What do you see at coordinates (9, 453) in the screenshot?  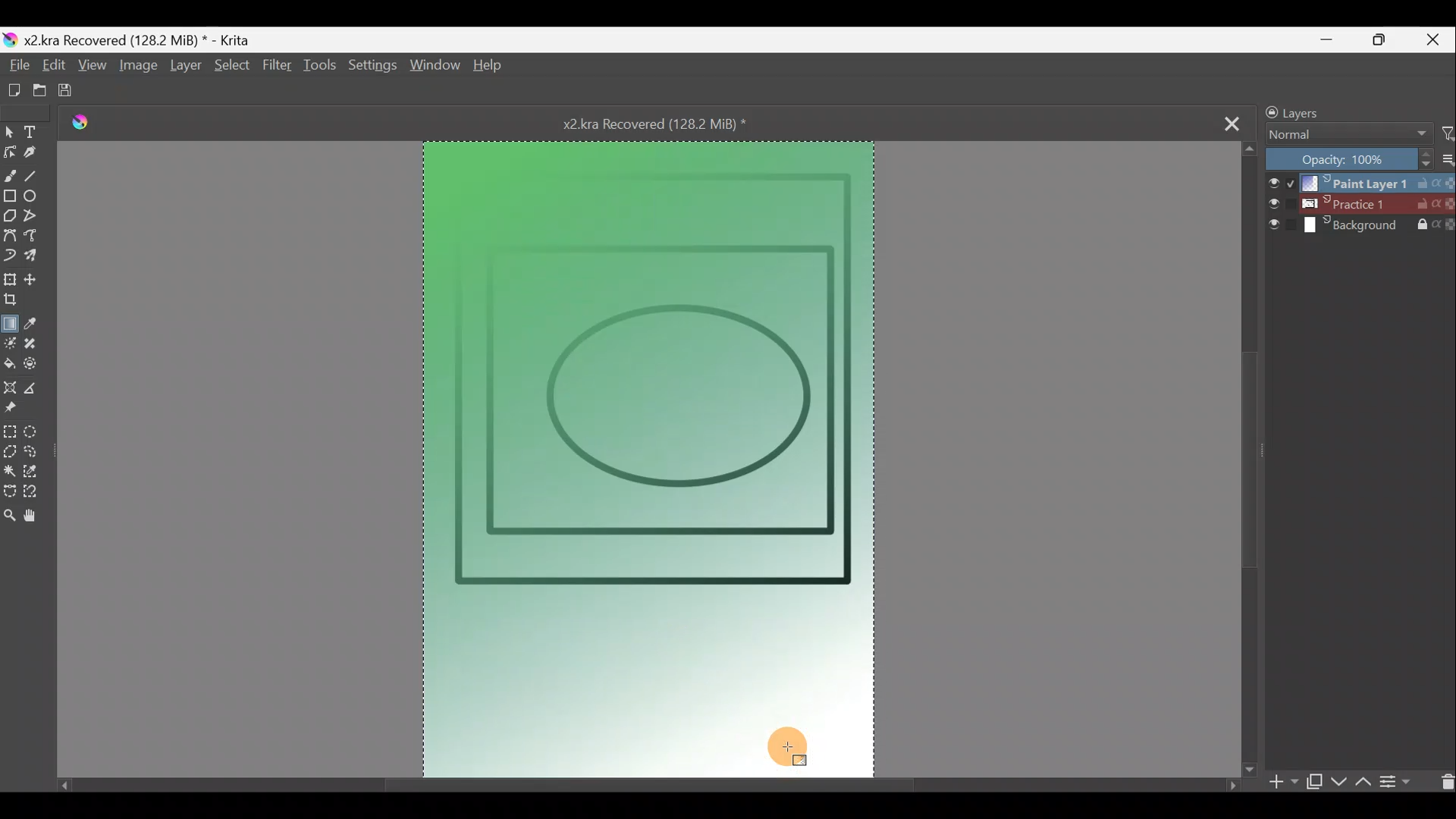 I see `Polgonal selection tool` at bounding box center [9, 453].